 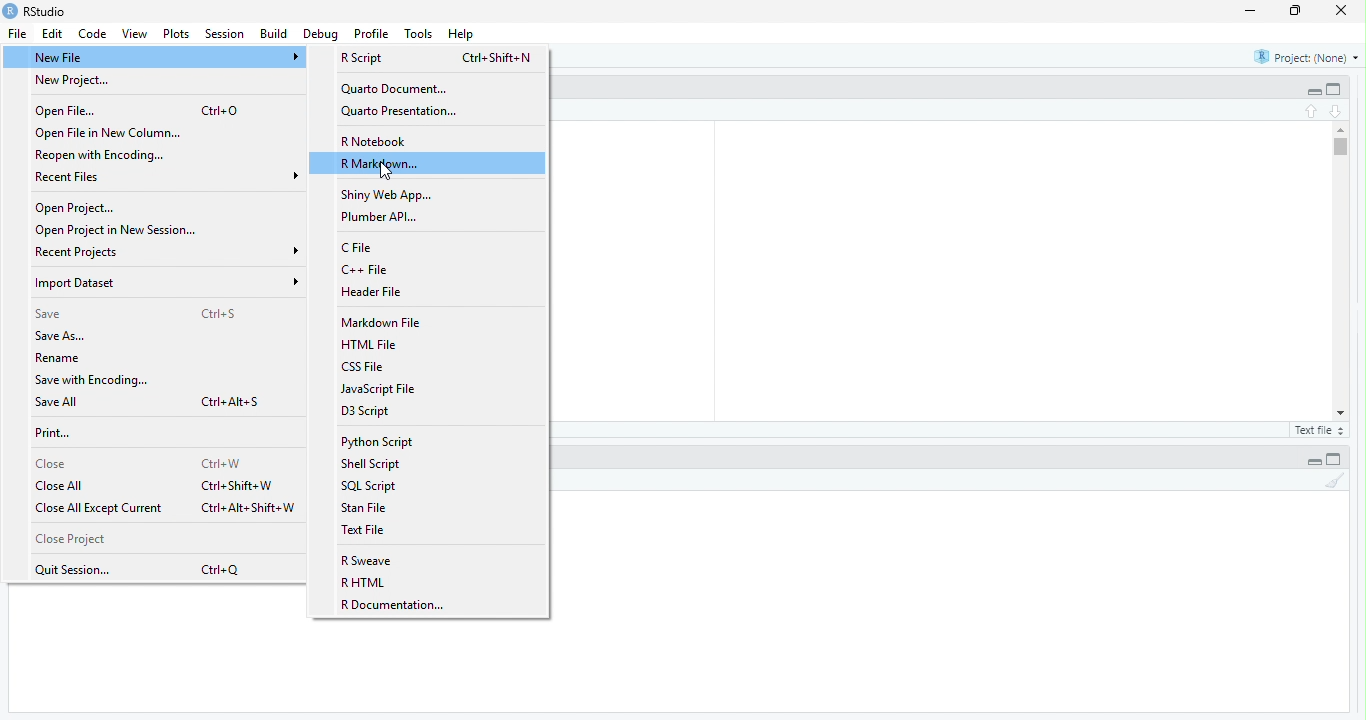 What do you see at coordinates (77, 81) in the screenshot?
I see `New Project...` at bounding box center [77, 81].